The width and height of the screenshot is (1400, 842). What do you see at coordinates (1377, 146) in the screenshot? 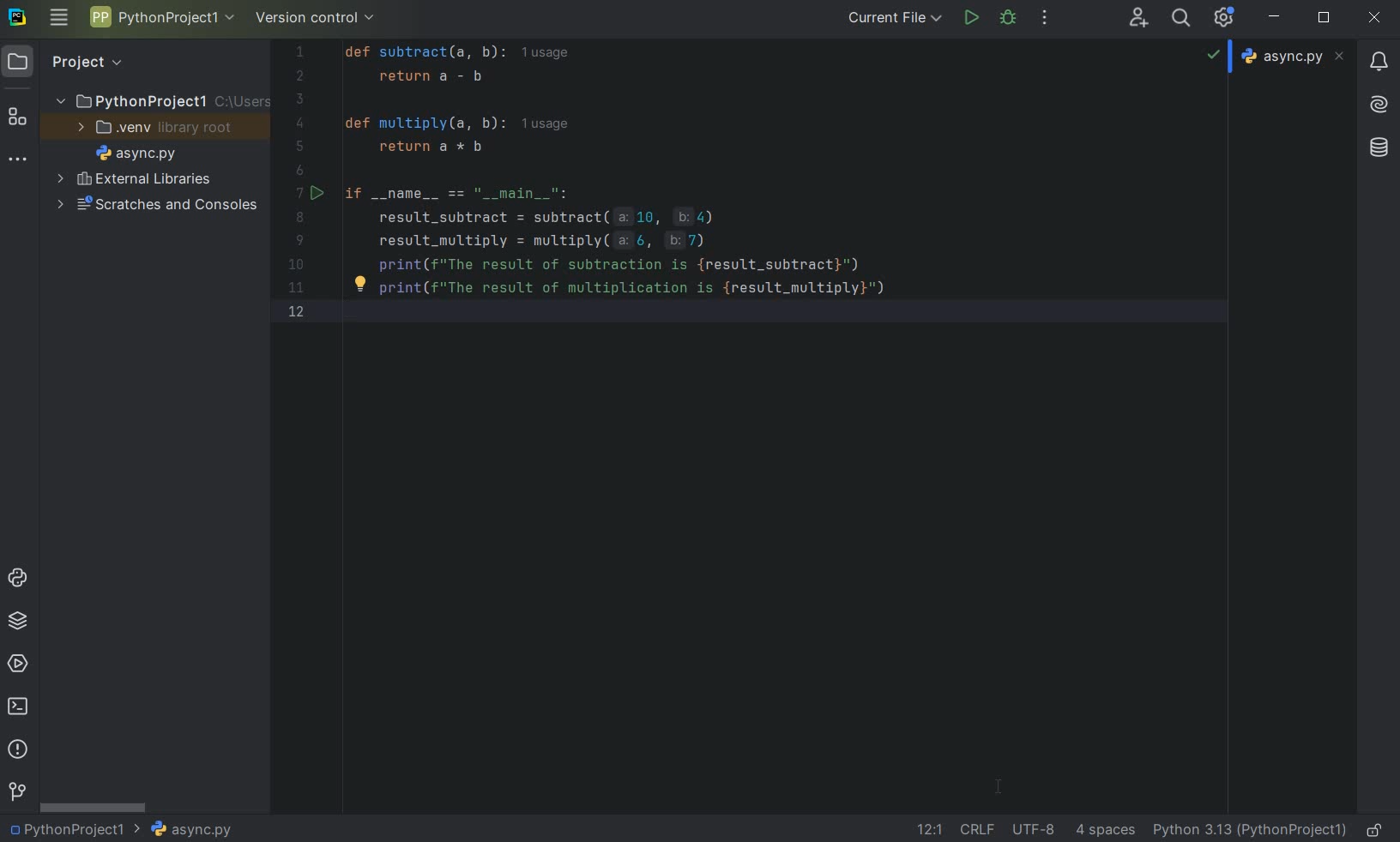
I see `database` at bounding box center [1377, 146].